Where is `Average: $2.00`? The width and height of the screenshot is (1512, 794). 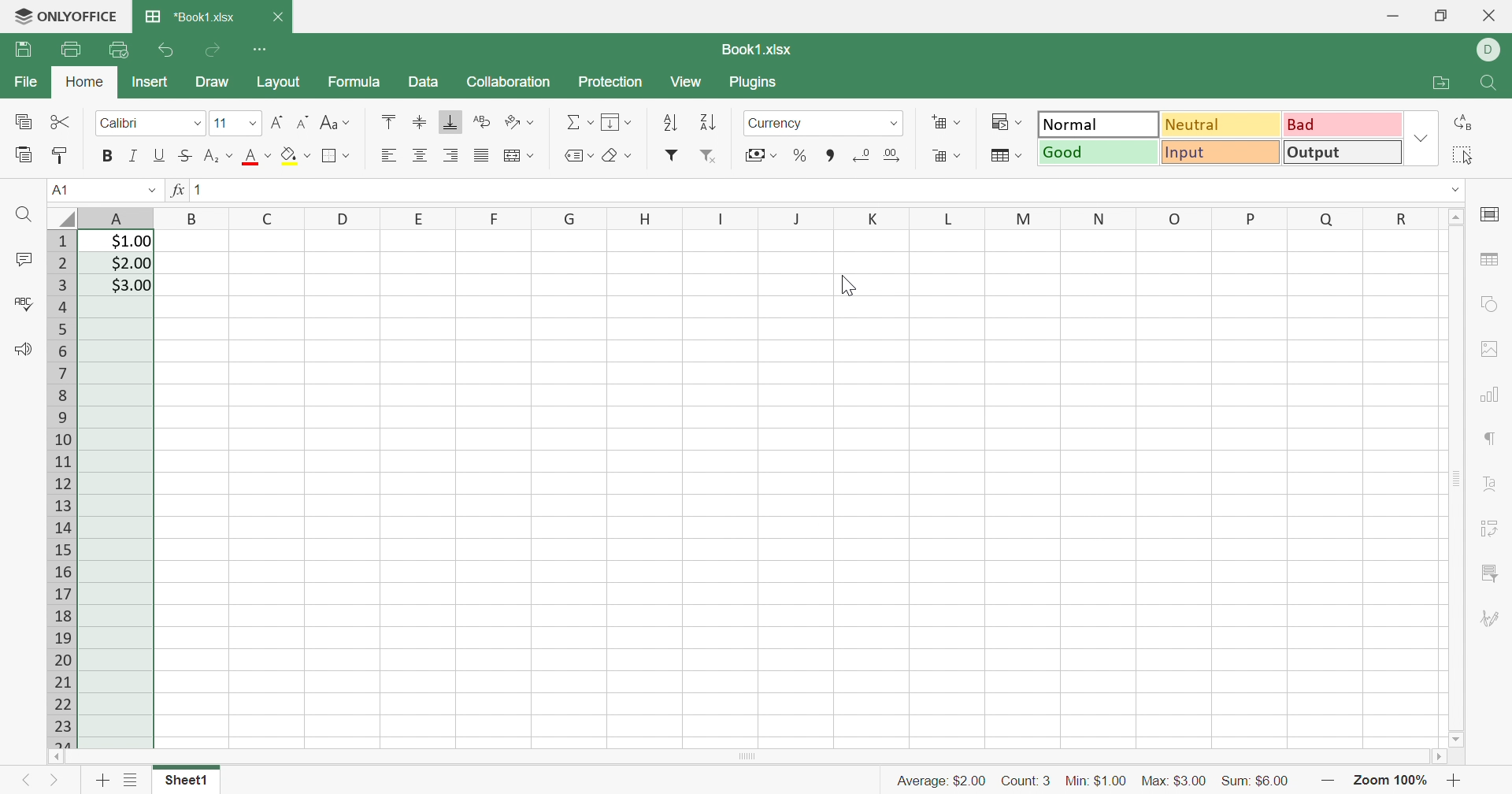
Average: $2.00 is located at coordinates (943, 783).